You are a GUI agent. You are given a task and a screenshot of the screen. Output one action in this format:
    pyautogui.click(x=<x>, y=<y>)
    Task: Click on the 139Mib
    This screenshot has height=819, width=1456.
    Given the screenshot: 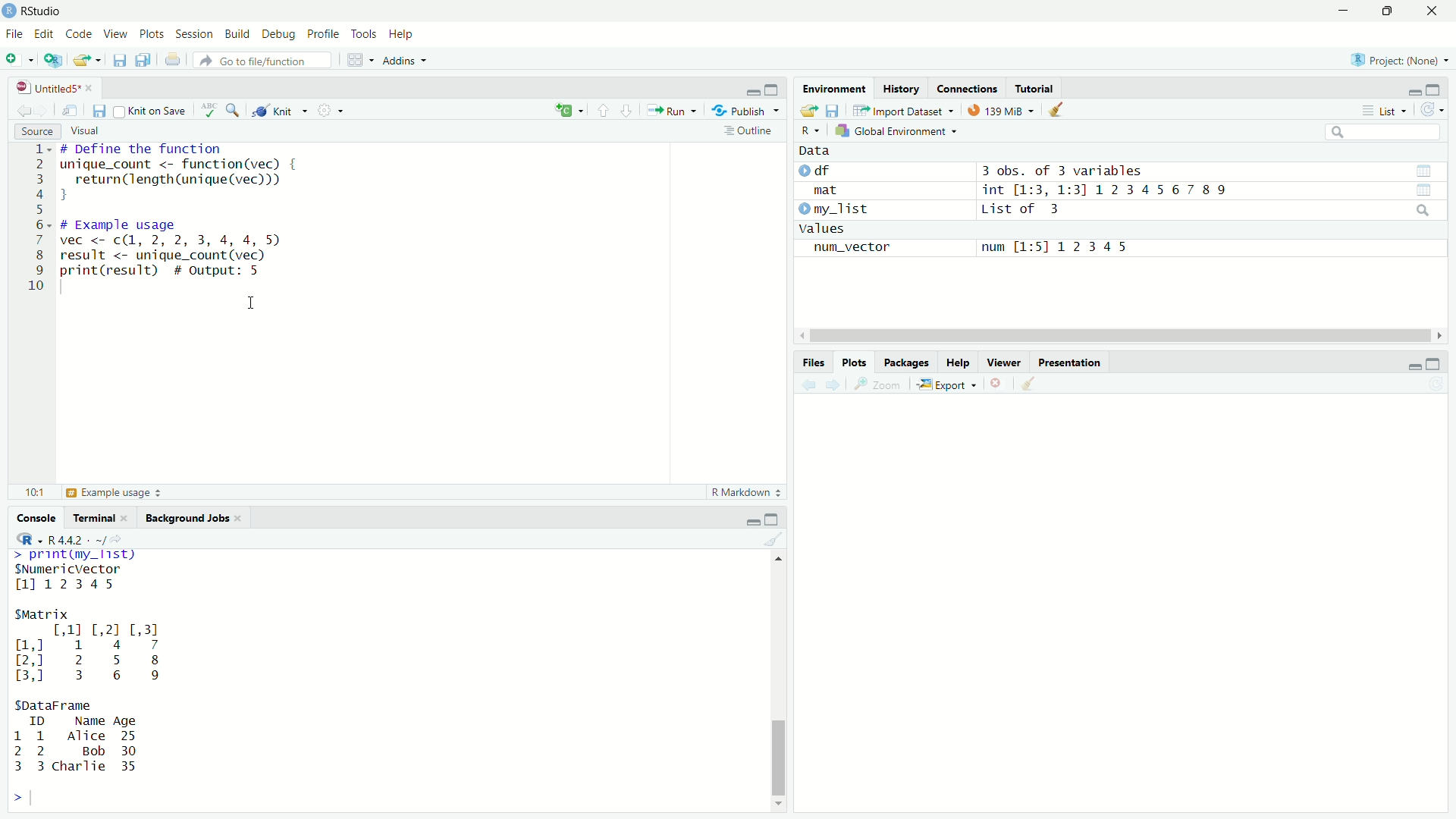 What is the action you would take?
    pyautogui.click(x=1000, y=111)
    